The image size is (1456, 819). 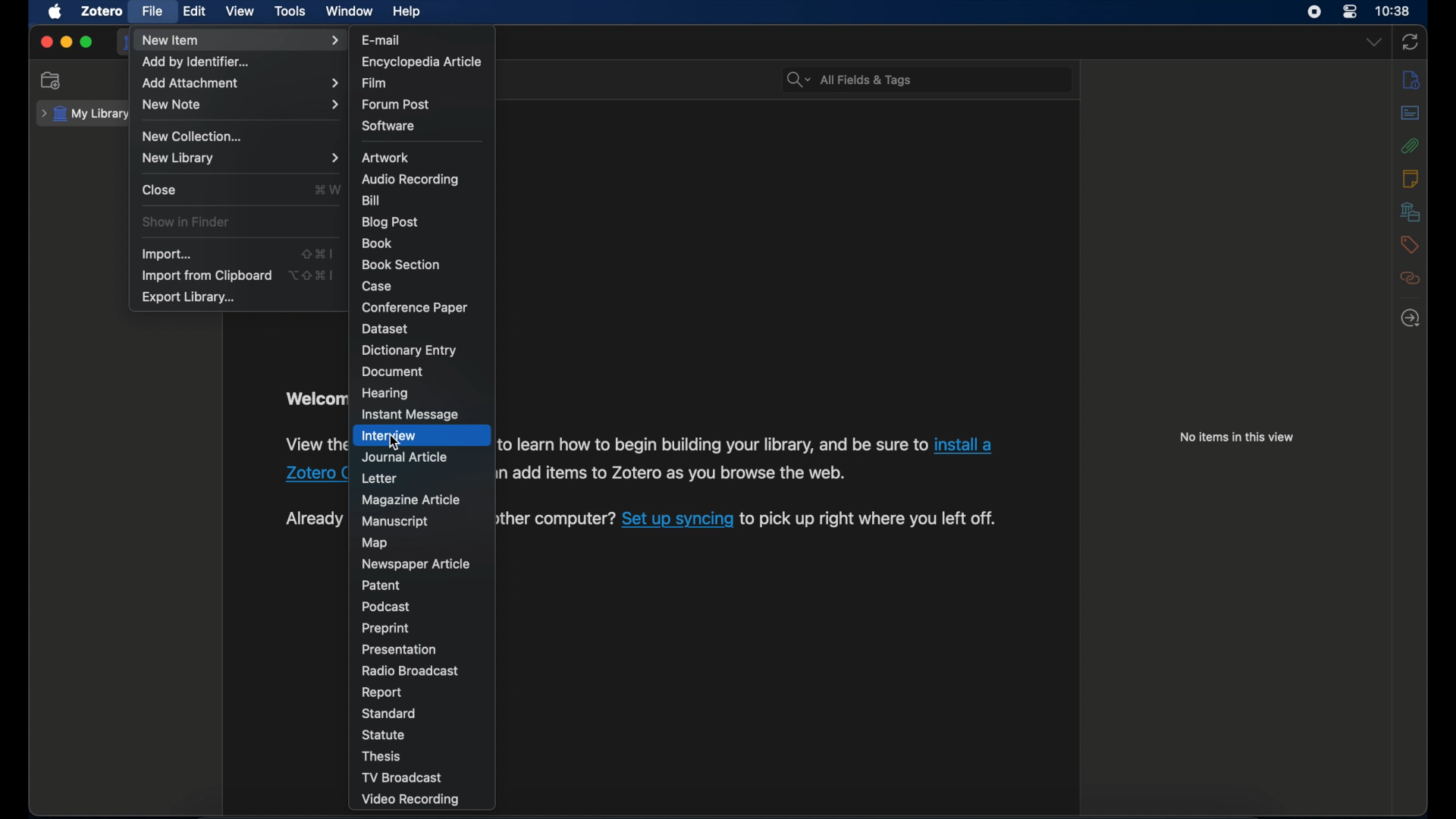 I want to click on statue, so click(x=382, y=734).